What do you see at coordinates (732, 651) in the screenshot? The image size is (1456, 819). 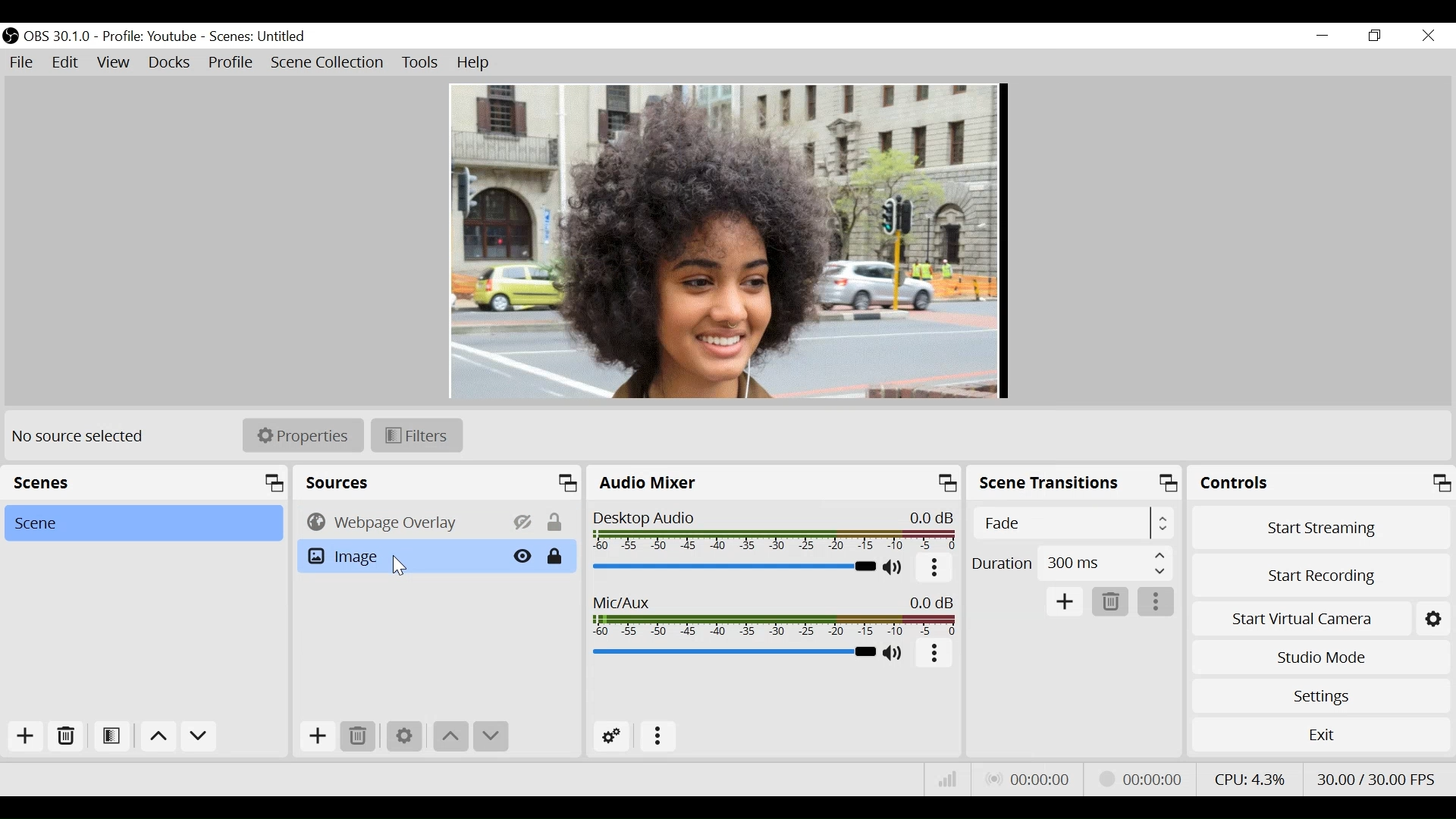 I see `Mic/Aux Slider` at bounding box center [732, 651].